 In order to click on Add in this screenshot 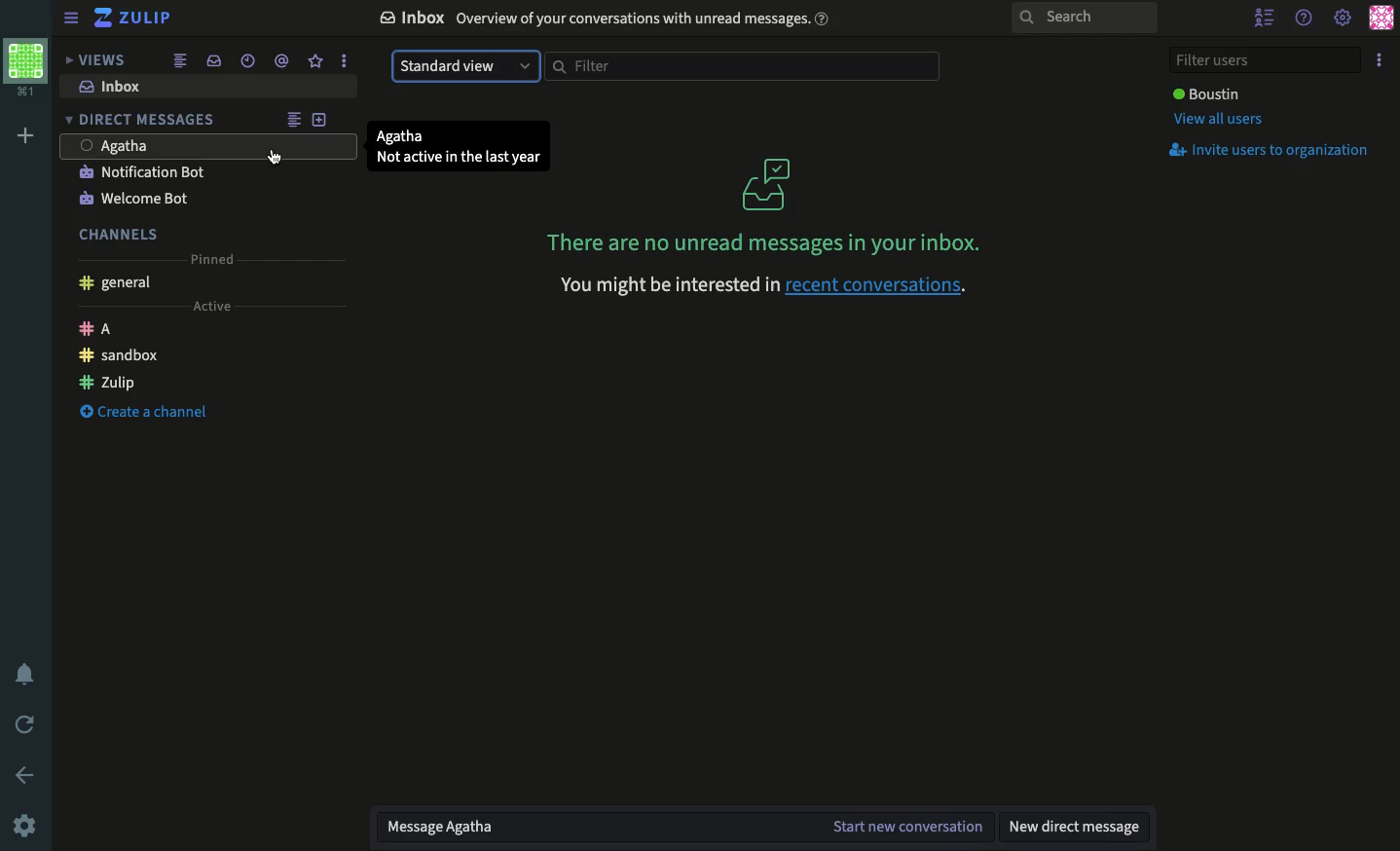, I will do `click(25, 137)`.